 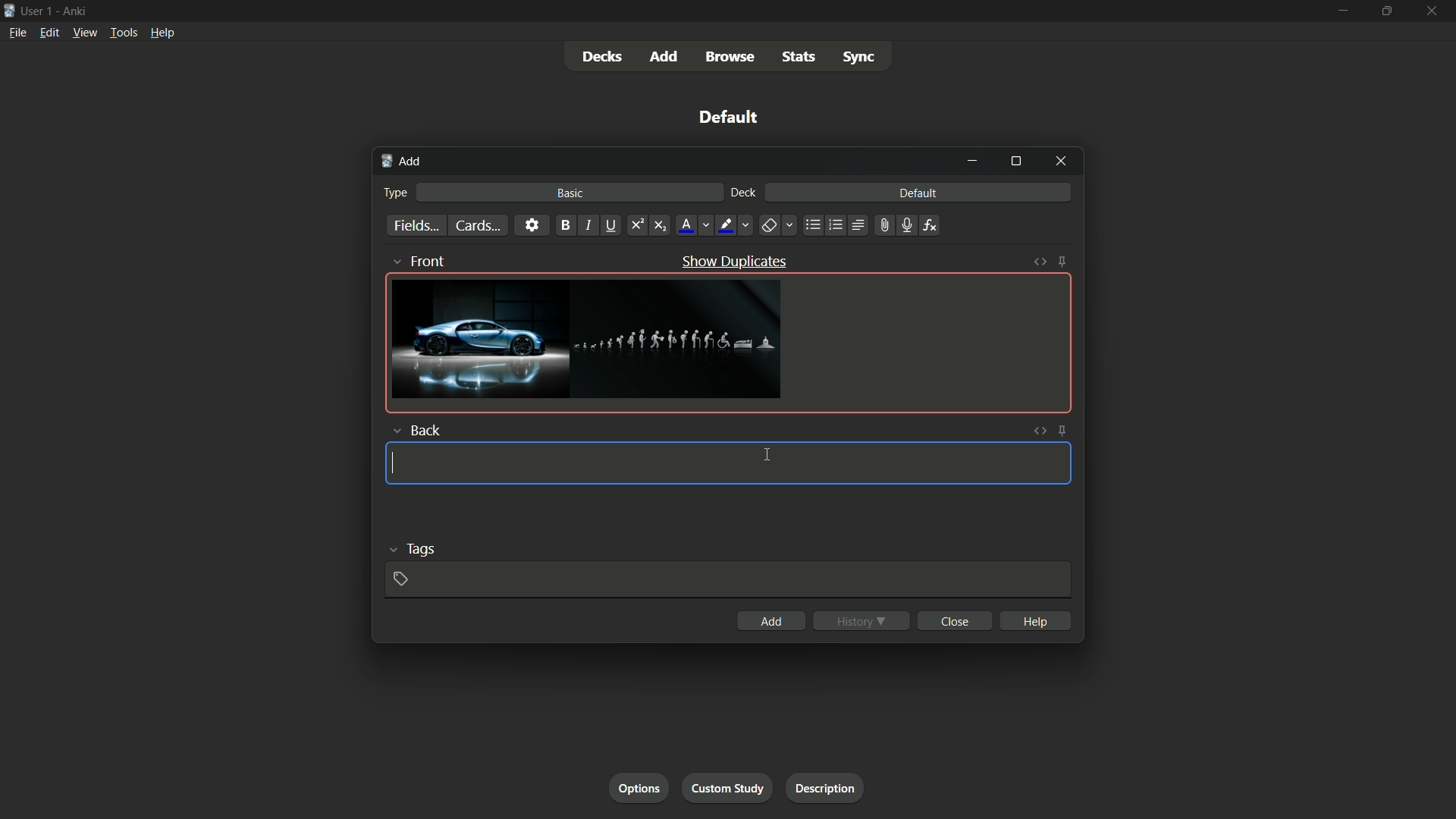 What do you see at coordinates (1015, 162) in the screenshot?
I see `maximize` at bounding box center [1015, 162].